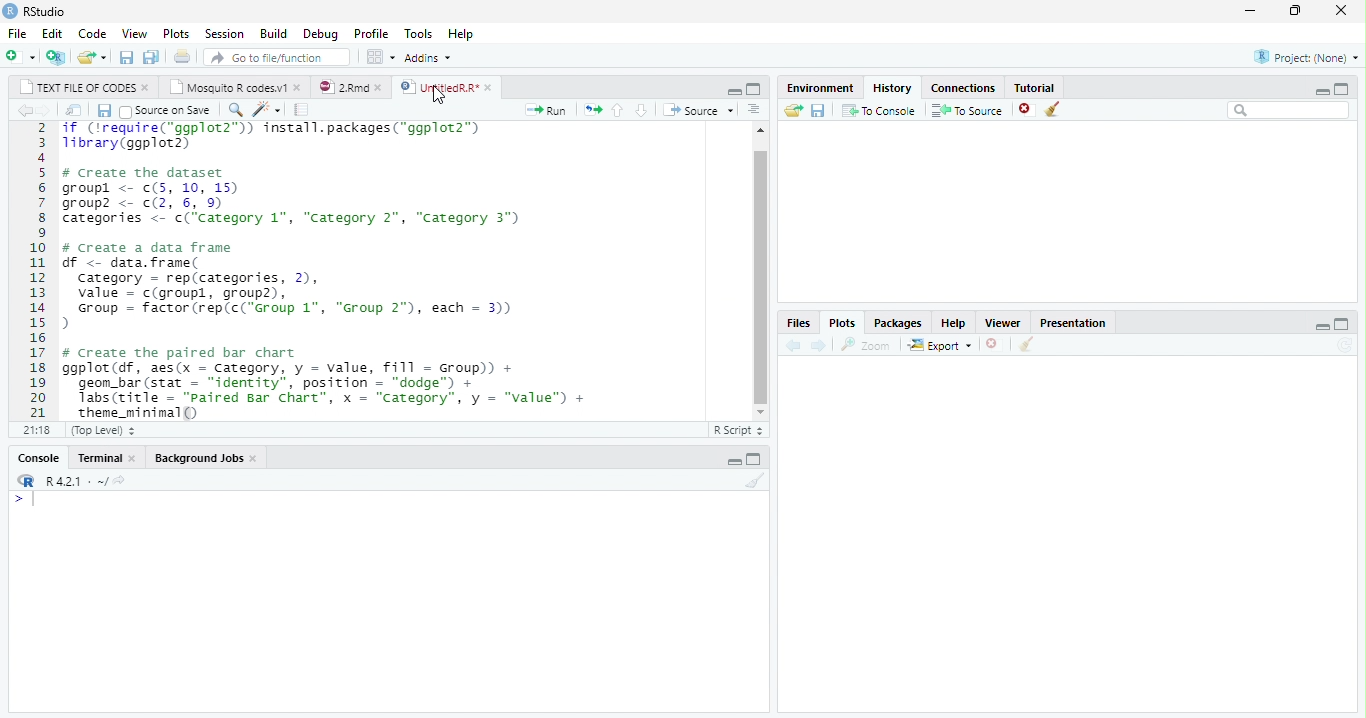 The height and width of the screenshot is (718, 1366). I want to click on scroll bar, so click(761, 277).